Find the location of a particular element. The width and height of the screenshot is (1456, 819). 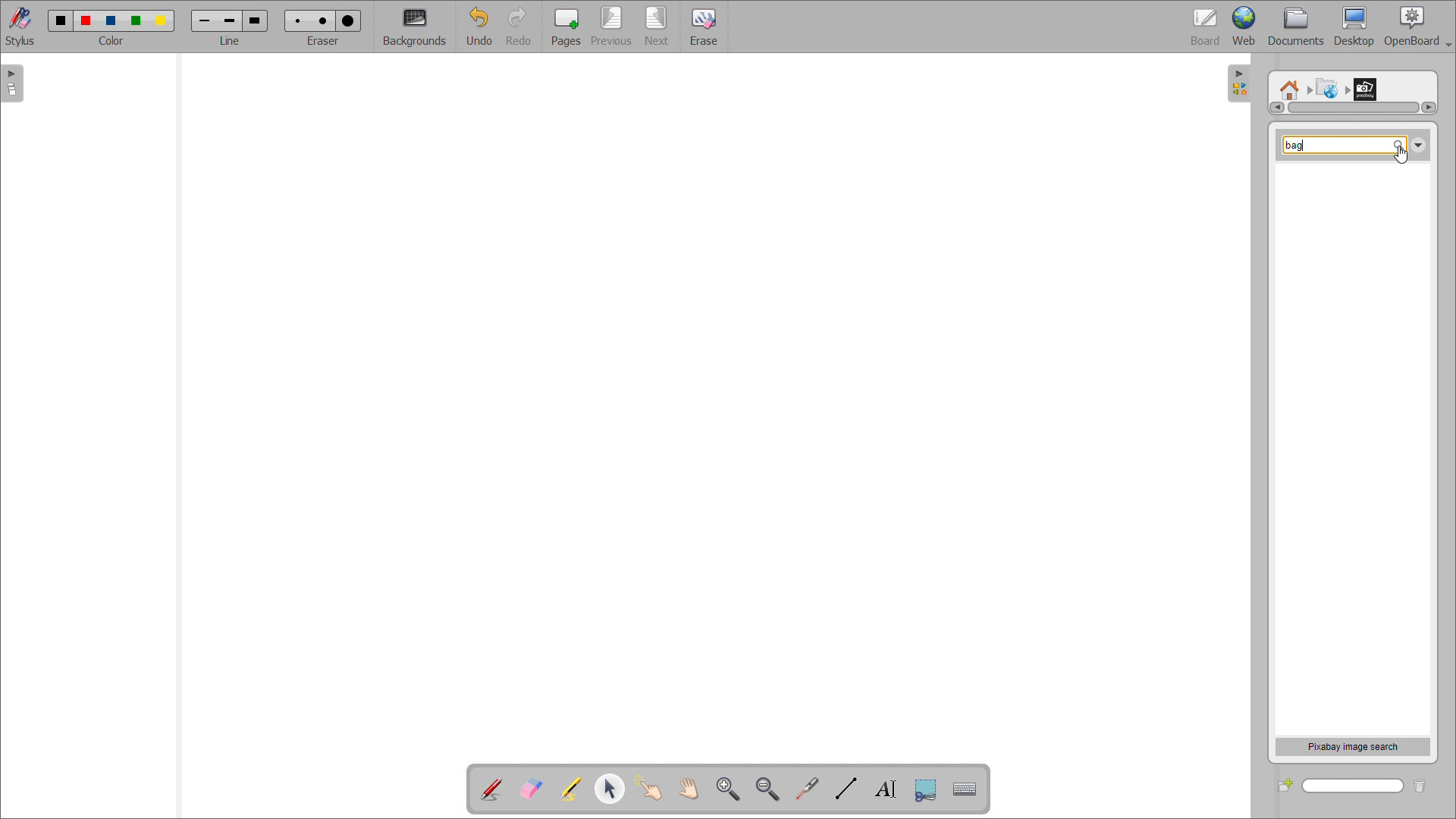

Open folder view is located at coordinates (1245, 86).